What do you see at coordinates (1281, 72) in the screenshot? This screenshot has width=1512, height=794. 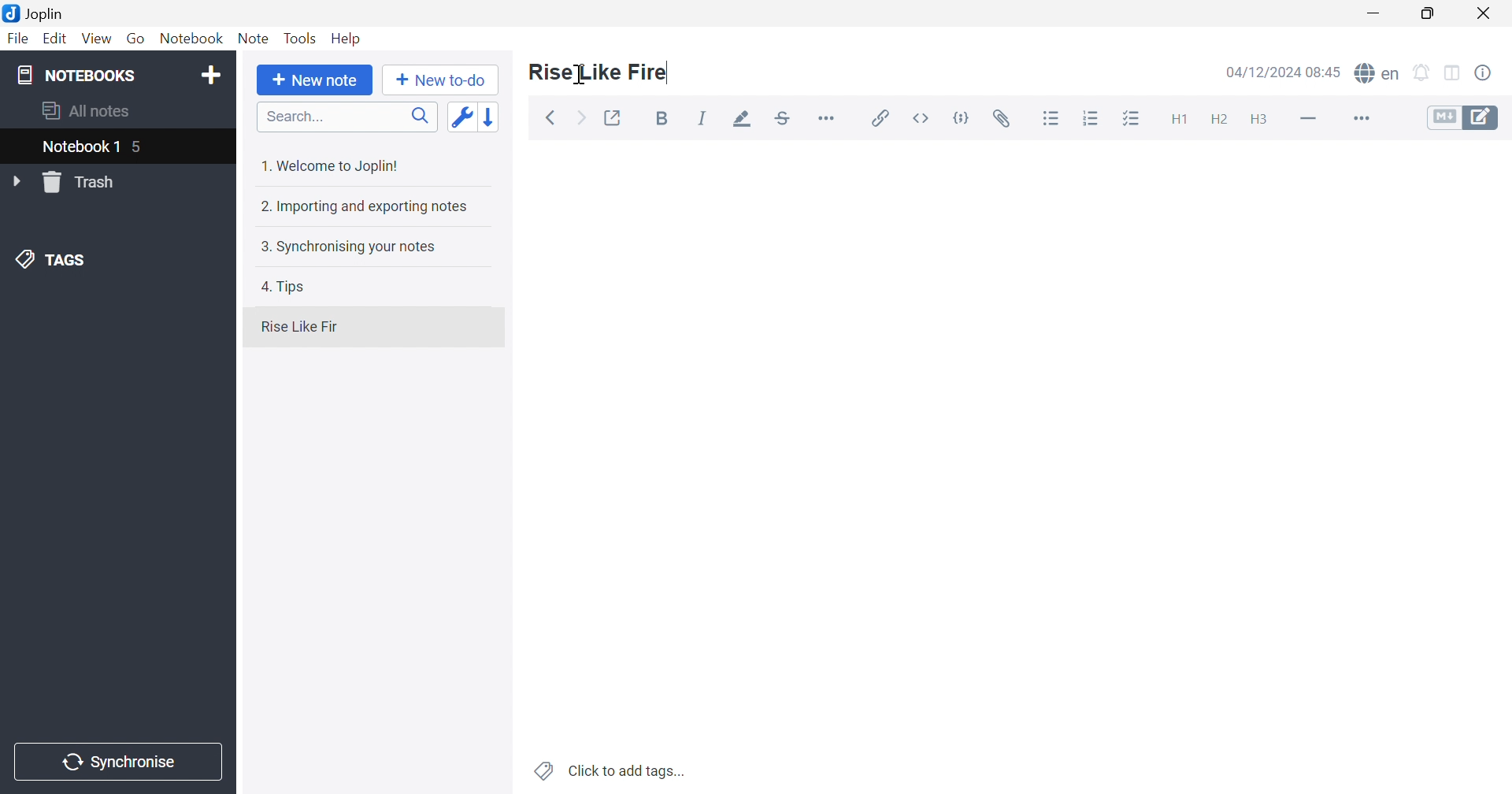 I see `04/12/2024 08:44` at bounding box center [1281, 72].